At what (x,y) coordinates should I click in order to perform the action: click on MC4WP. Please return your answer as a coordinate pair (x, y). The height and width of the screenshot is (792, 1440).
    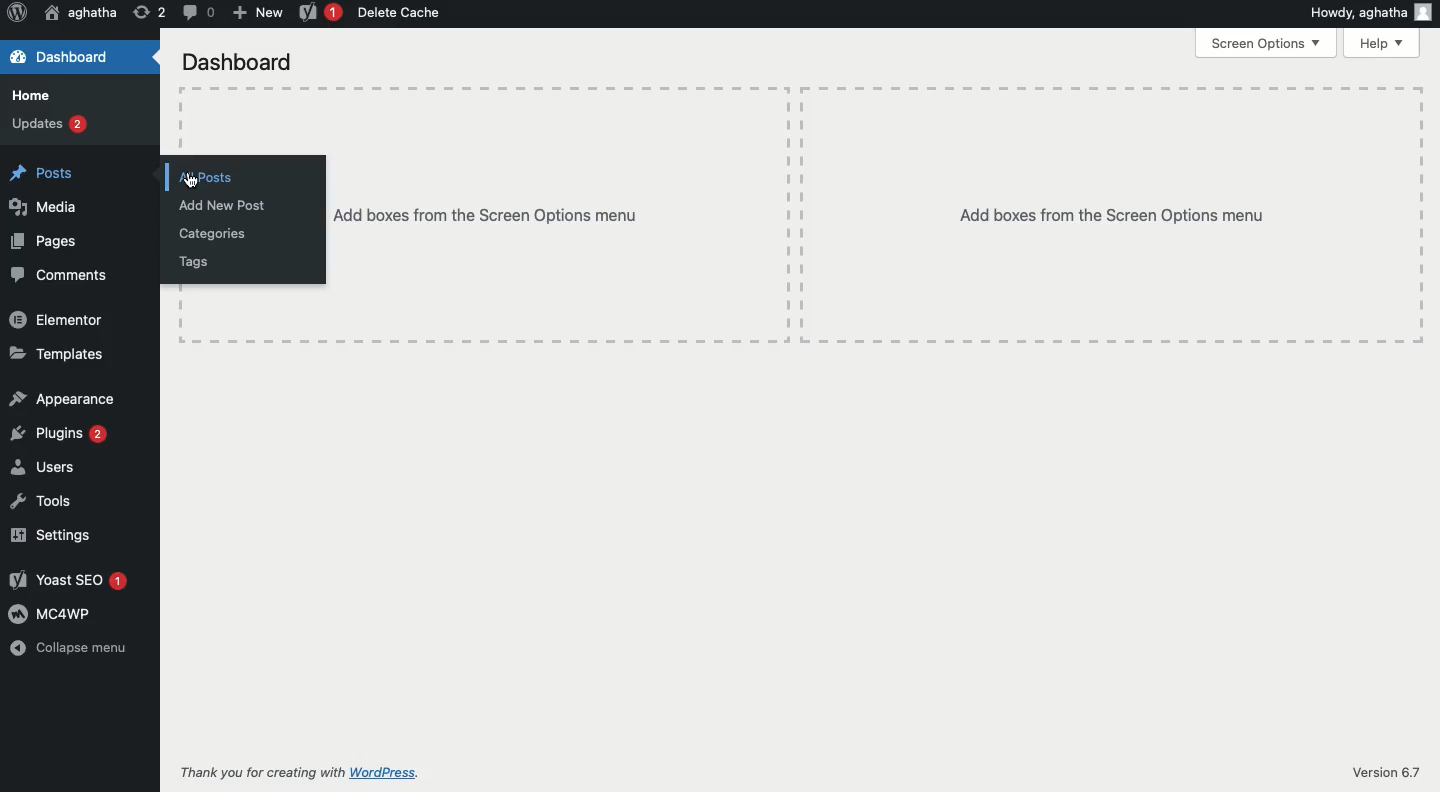
    Looking at the image, I should click on (52, 614).